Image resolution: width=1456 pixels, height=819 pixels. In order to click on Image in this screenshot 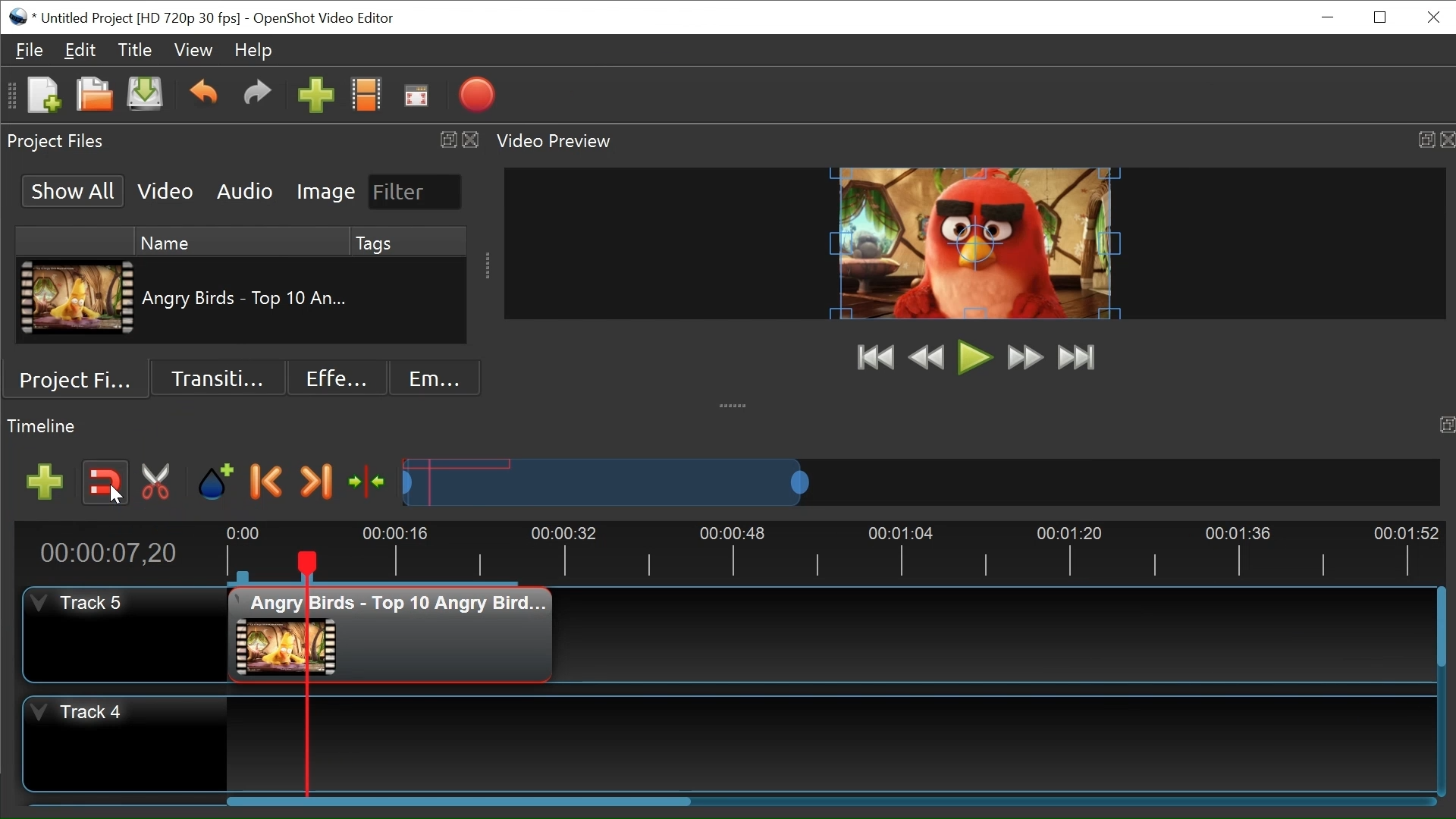, I will do `click(325, 193)`.